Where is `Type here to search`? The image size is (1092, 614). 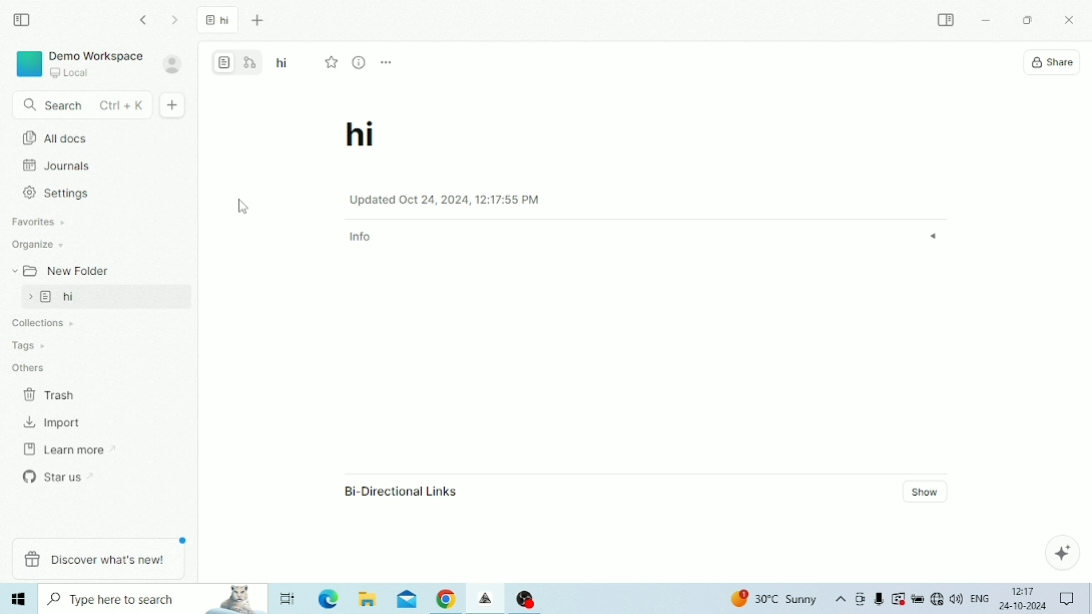
Type here to search is located at coordinates (154, 599).